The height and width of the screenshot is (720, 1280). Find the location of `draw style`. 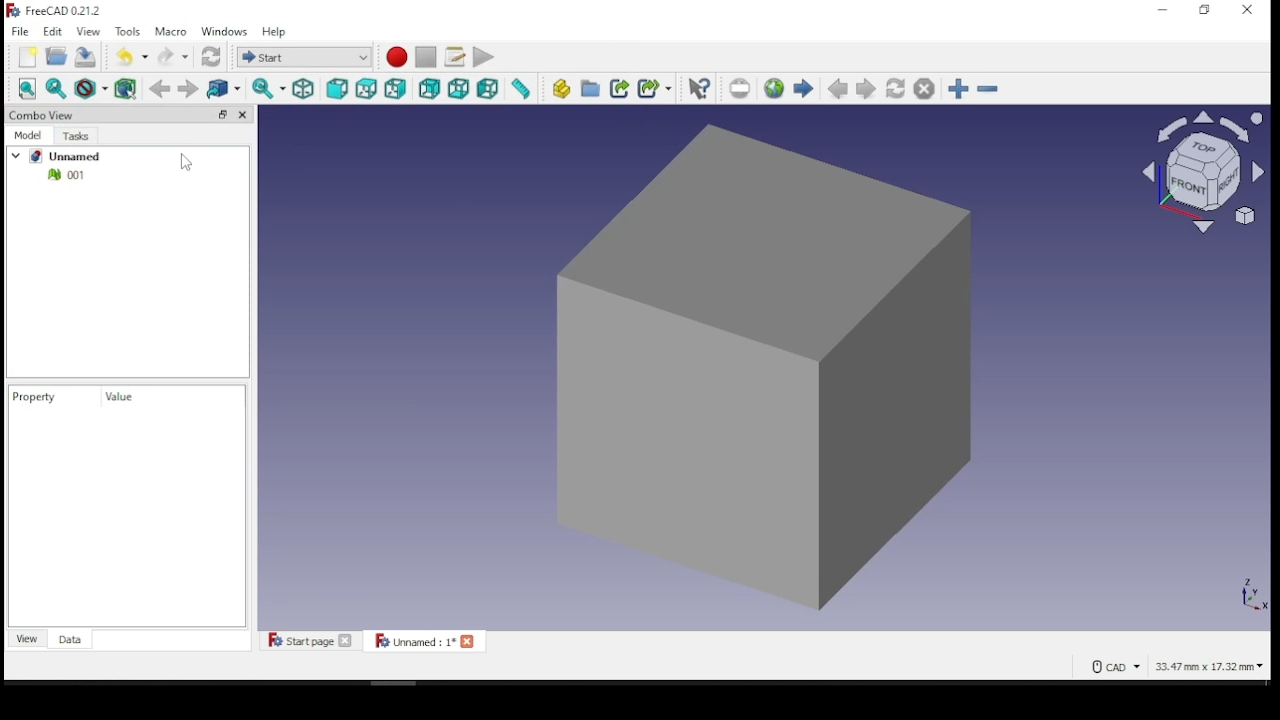

draw style is located at coordinates (85, 88).